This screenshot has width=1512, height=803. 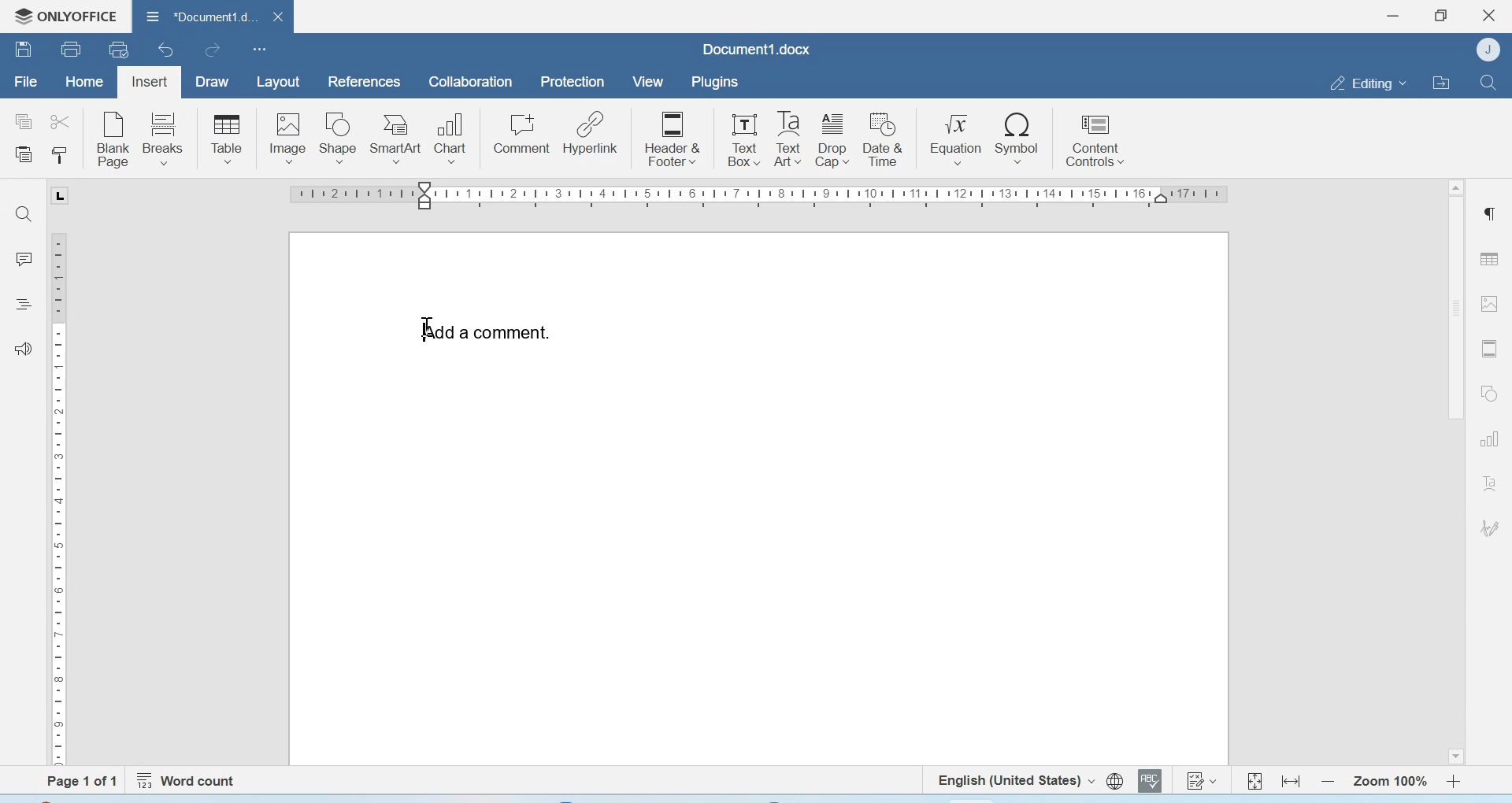 I want to click on Graphs, so click(x=1489, y=439).